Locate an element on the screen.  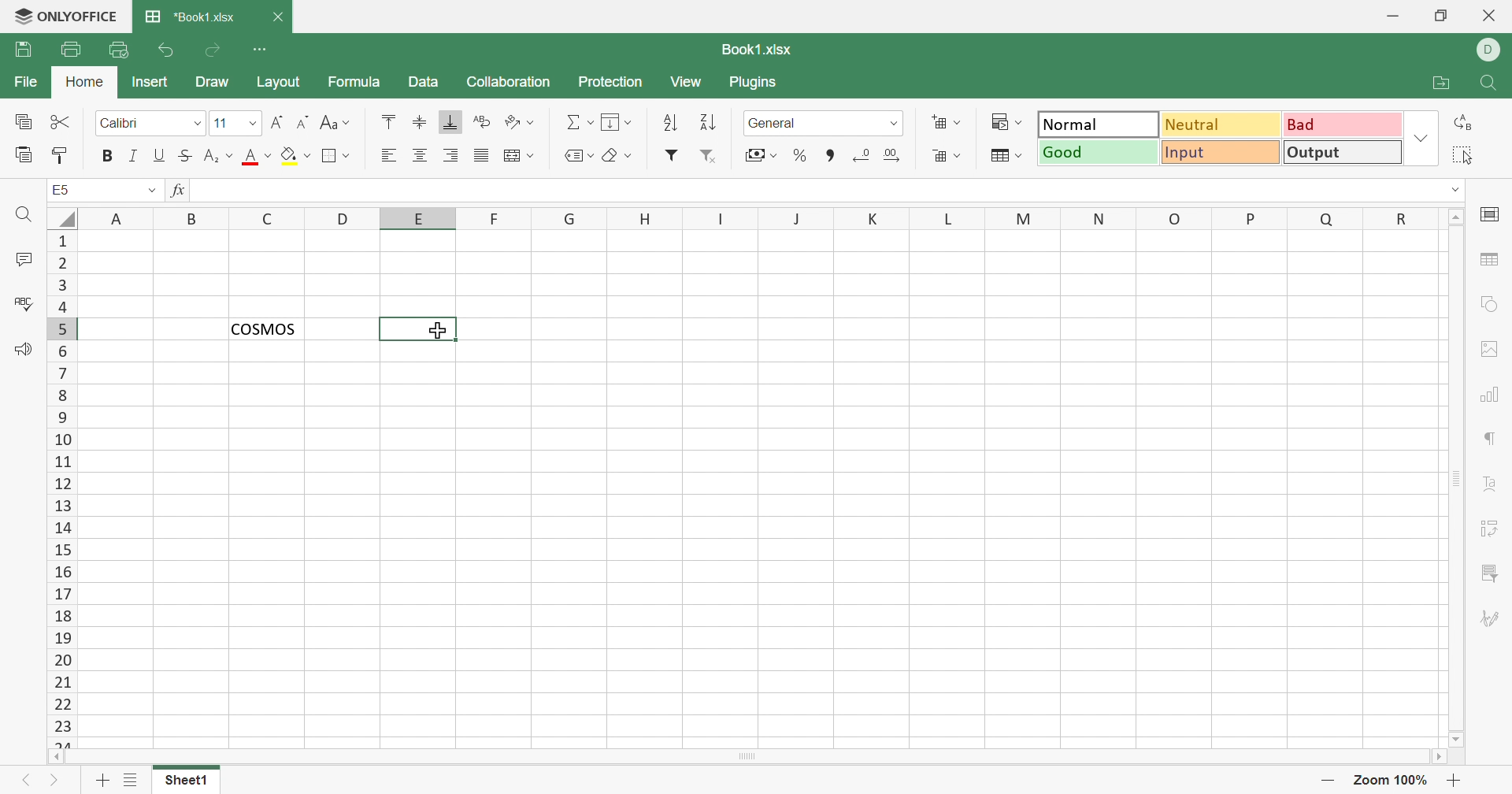
Cursor is located at coordinates (435, 329).